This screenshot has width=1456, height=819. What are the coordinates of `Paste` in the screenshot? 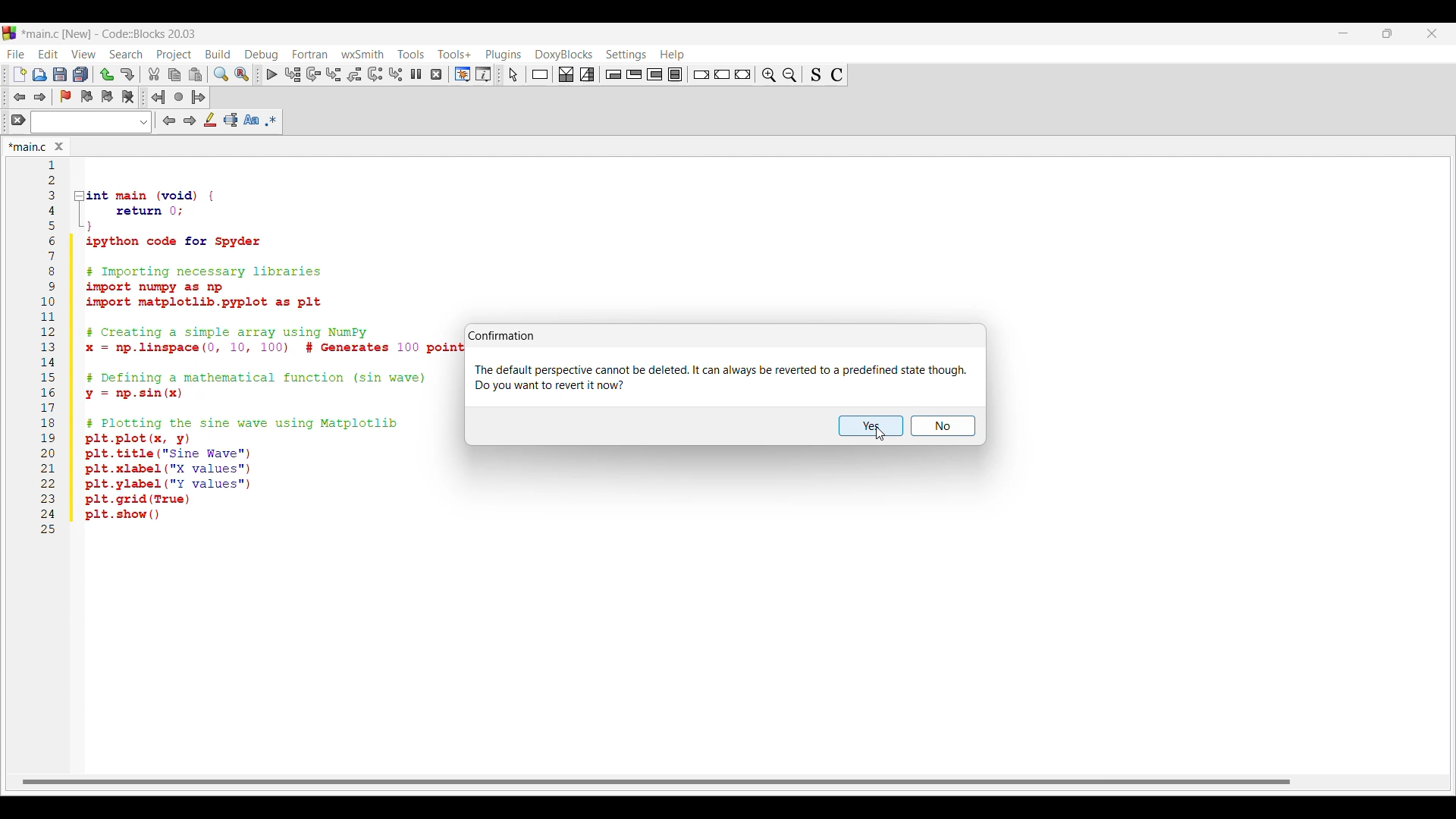 It's located at (196, 74).